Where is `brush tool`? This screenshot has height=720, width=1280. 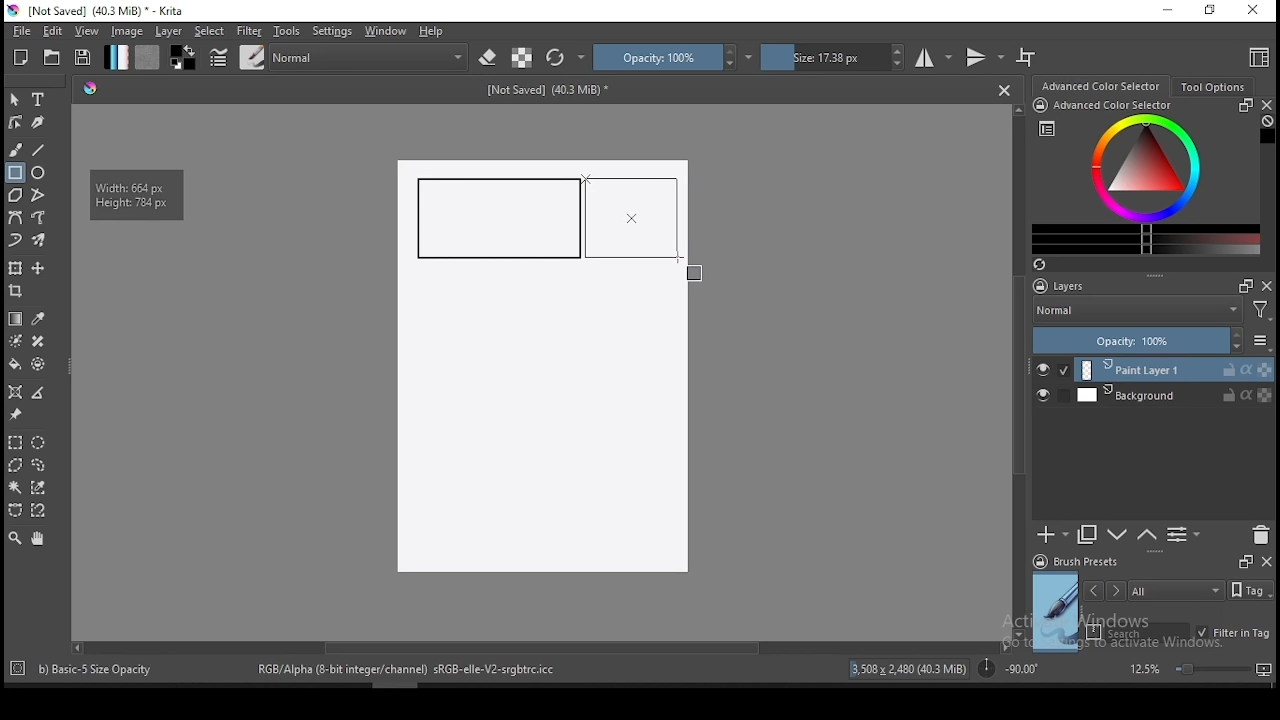
brush tool is located at coordinates (17, 149).